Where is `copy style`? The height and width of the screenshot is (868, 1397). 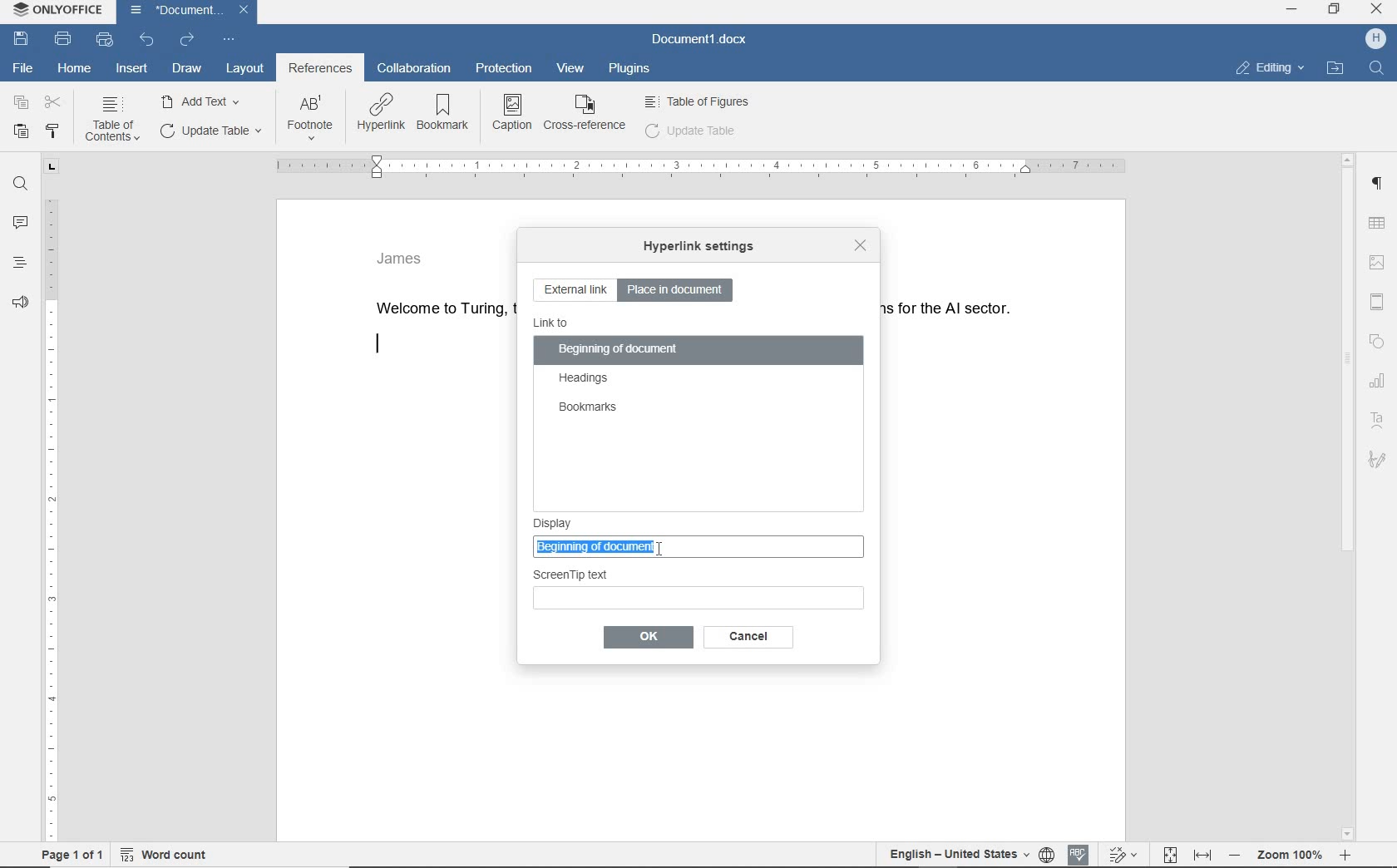
copy style is located at coordinates (55, 130).